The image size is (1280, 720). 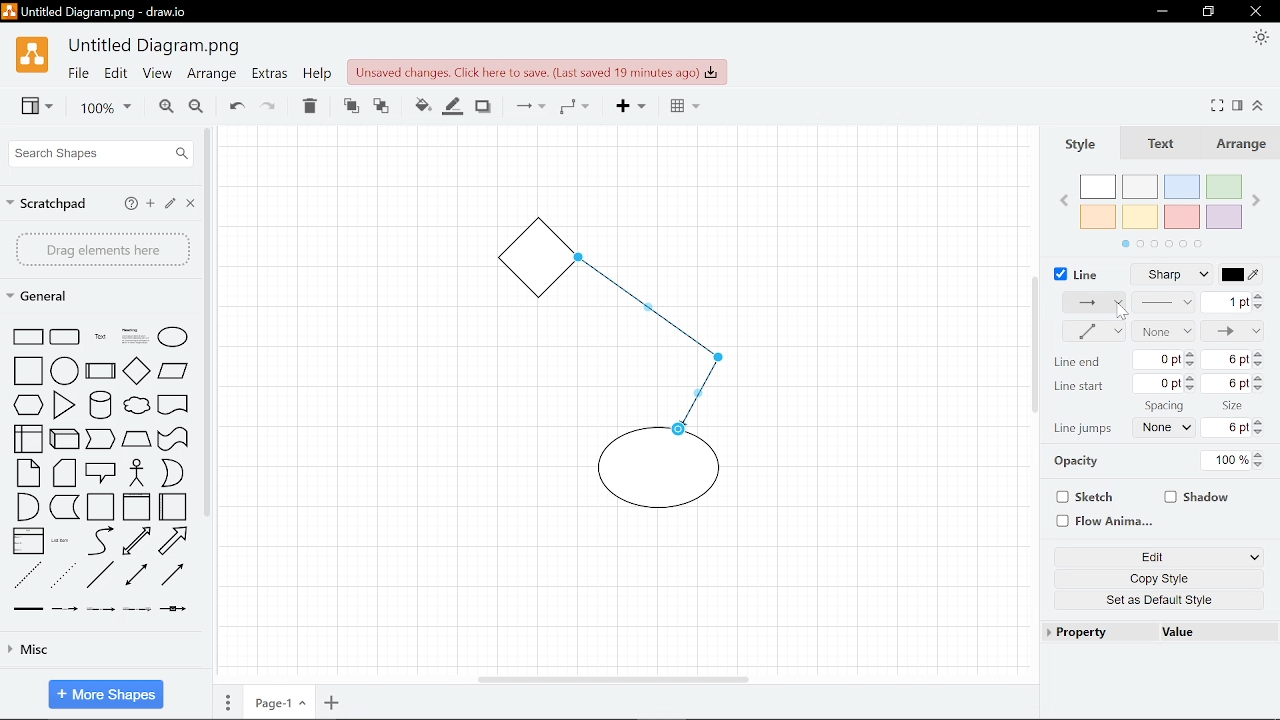 What do you see at coordinates (1259, 377) in the screenshot?
I see `Increase` at bounding box center [1259, 377].